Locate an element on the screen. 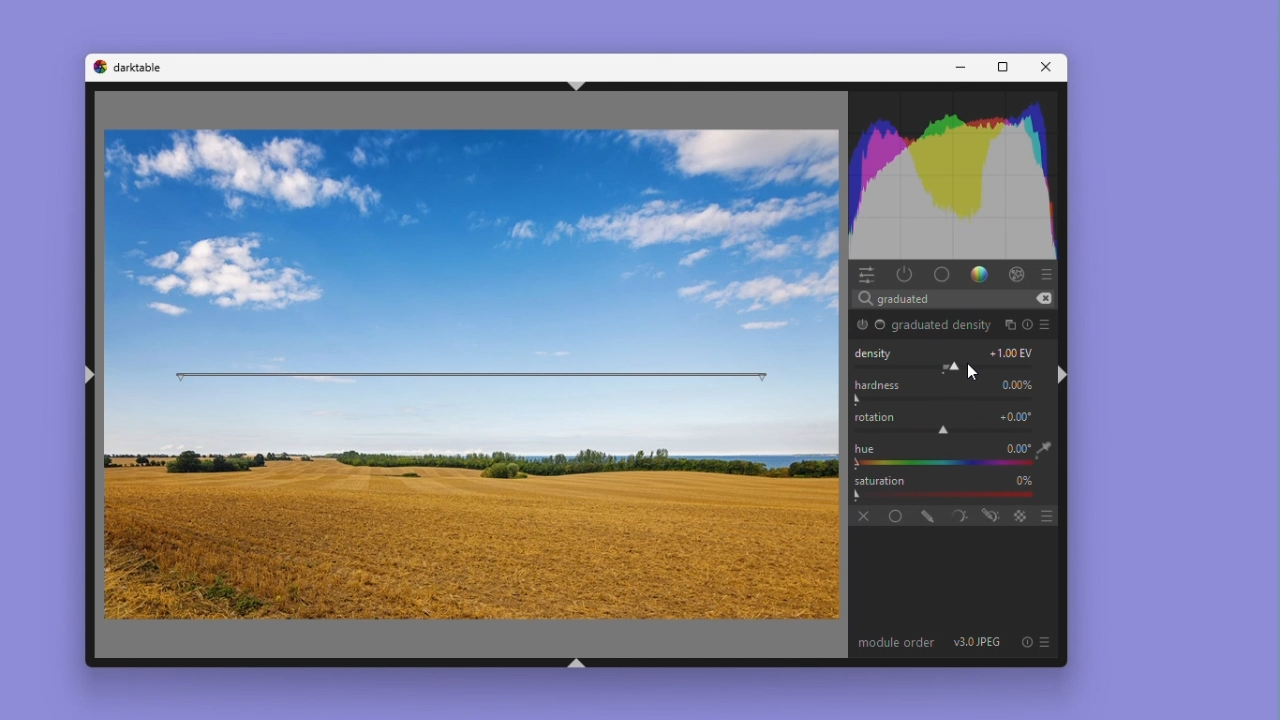 This screenshot has height=720, width=1280. Histogram is located at coordinates (956, 172).